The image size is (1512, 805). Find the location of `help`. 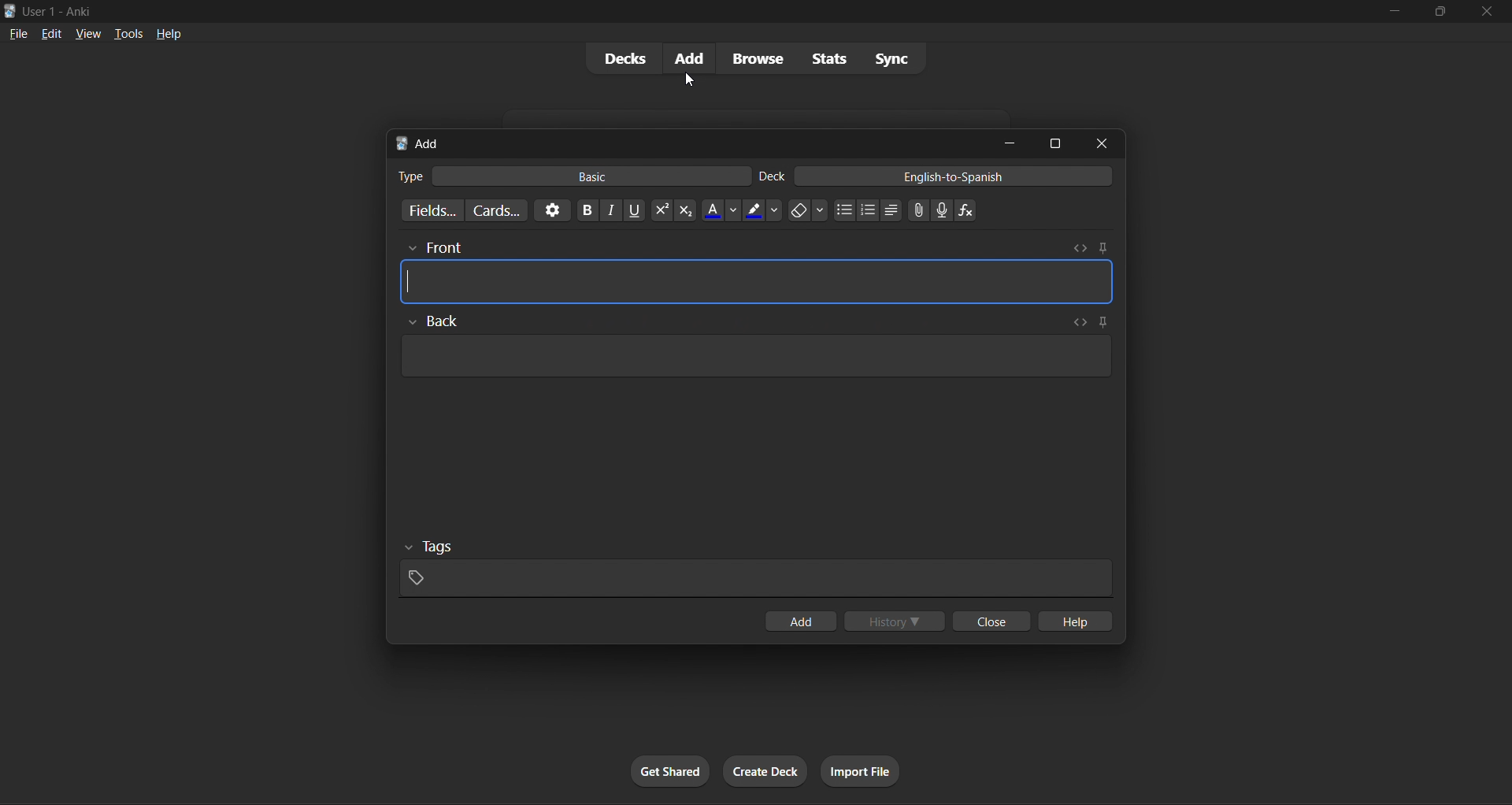

help is located at coordinates (165, 31).